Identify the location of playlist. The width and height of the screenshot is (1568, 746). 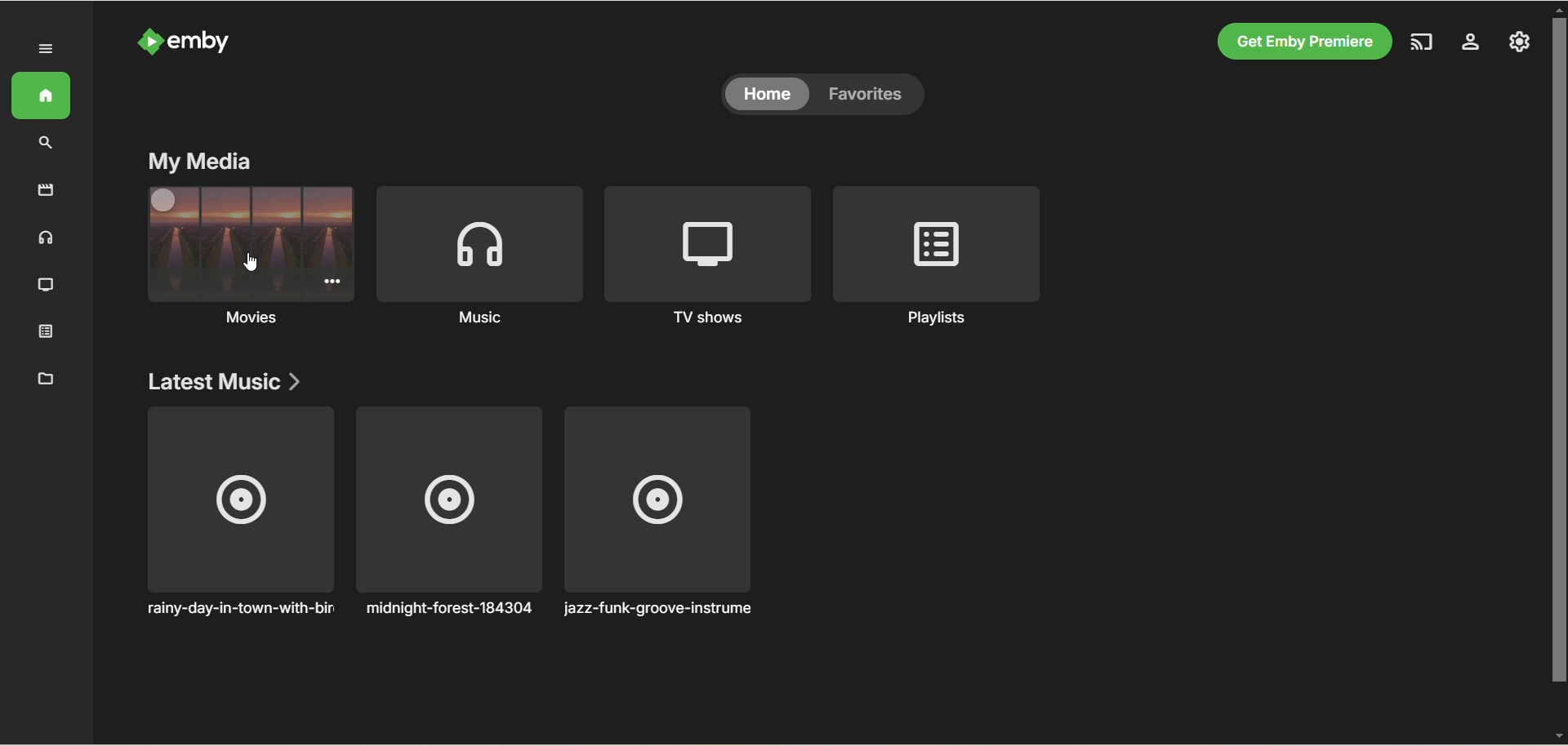
(47, 330).